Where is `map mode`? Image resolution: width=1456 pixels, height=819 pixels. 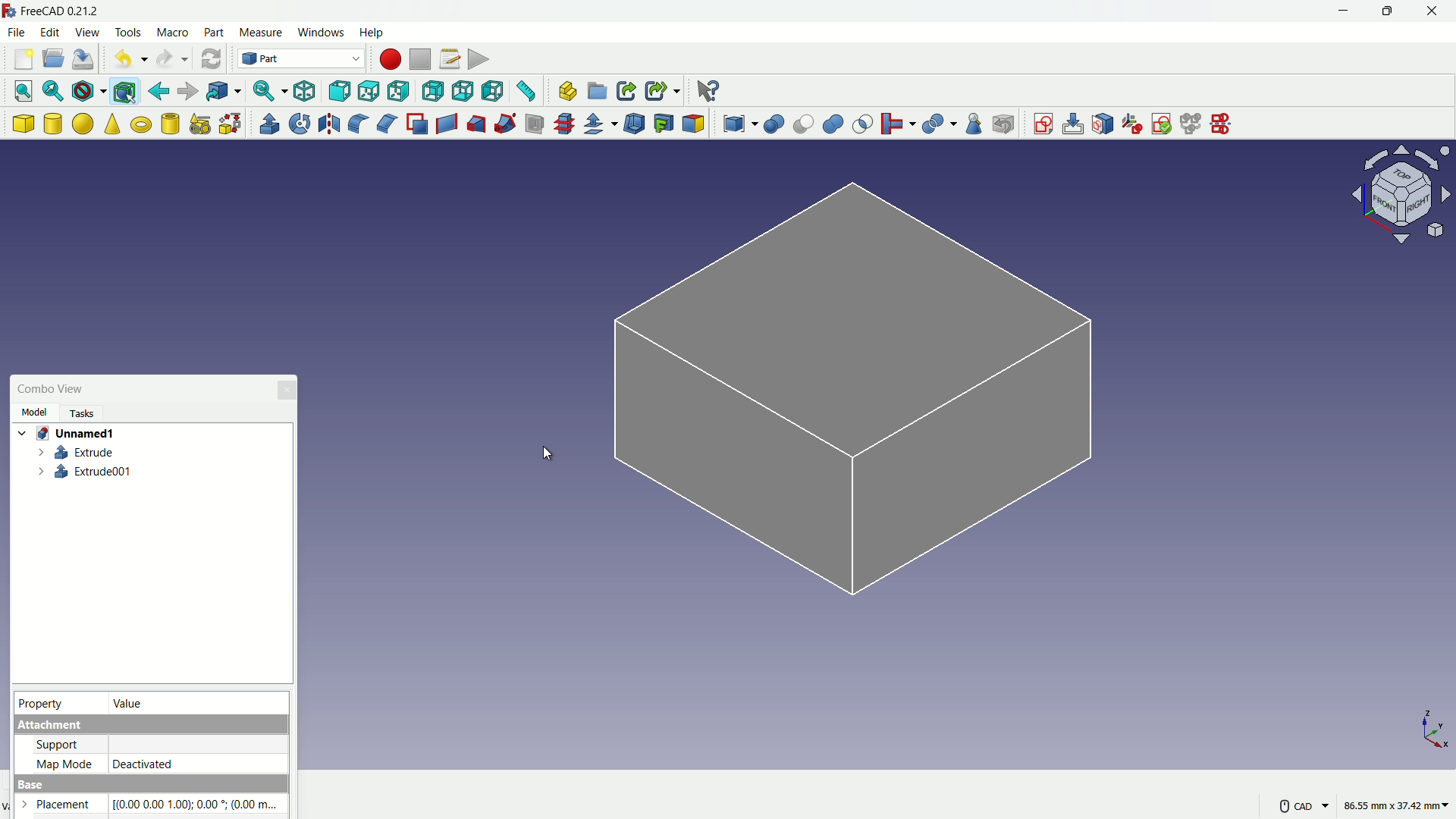 map mode is located at coordinates (62, 762).